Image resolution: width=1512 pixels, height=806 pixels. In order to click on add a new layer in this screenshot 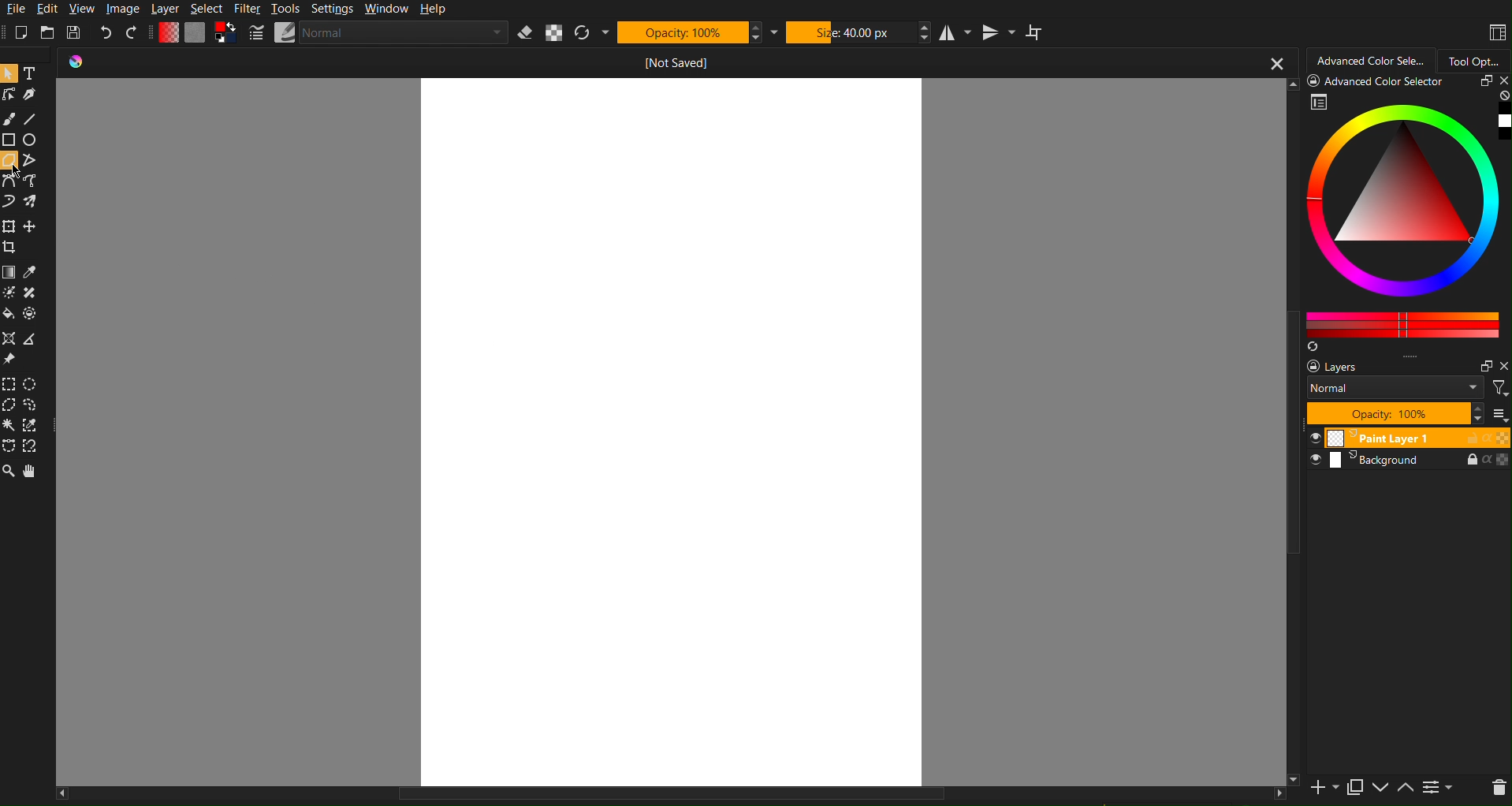, I will do `click(1325, 789)`.